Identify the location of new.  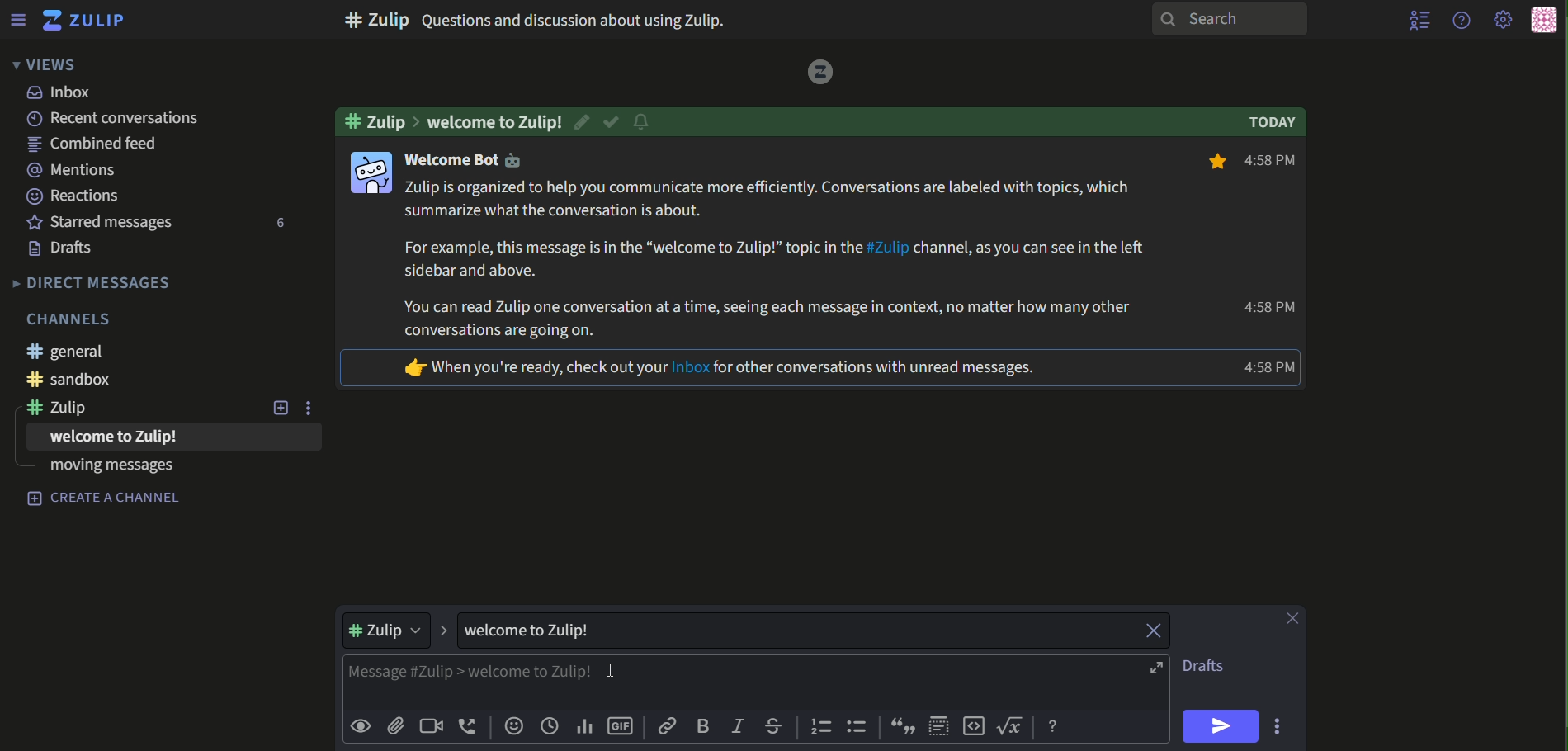
(281, 409).